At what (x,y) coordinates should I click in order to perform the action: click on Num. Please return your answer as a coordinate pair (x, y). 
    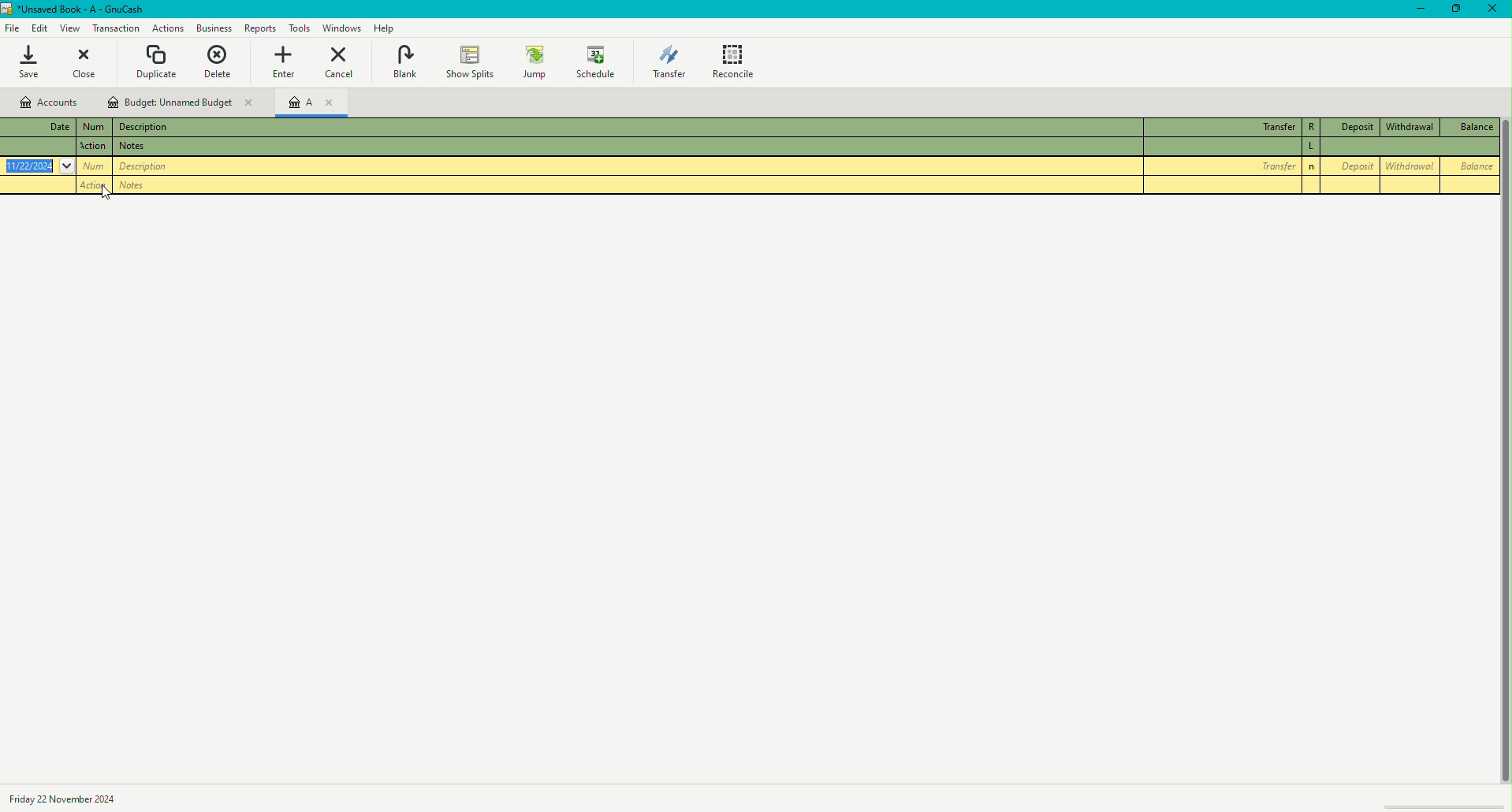
    Looking at the image, I should click on (93, 125).